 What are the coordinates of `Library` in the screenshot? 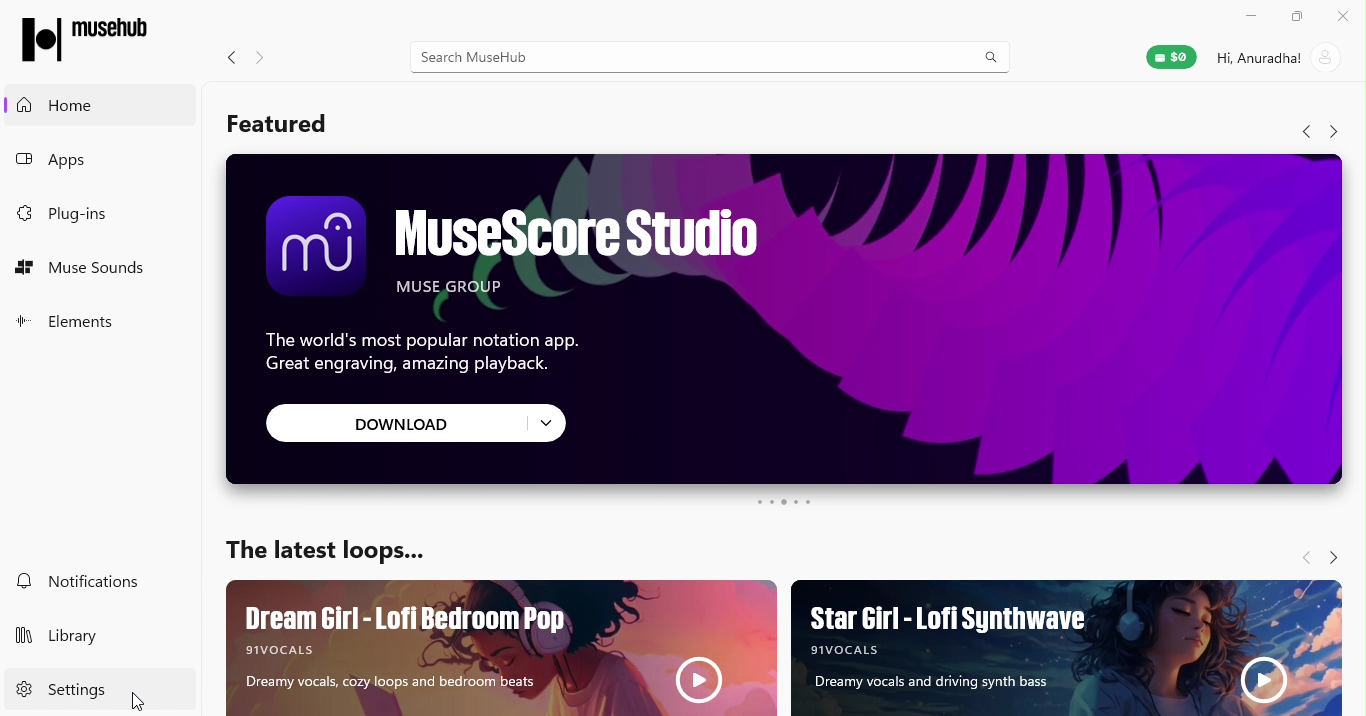 It's located at (66, 641).